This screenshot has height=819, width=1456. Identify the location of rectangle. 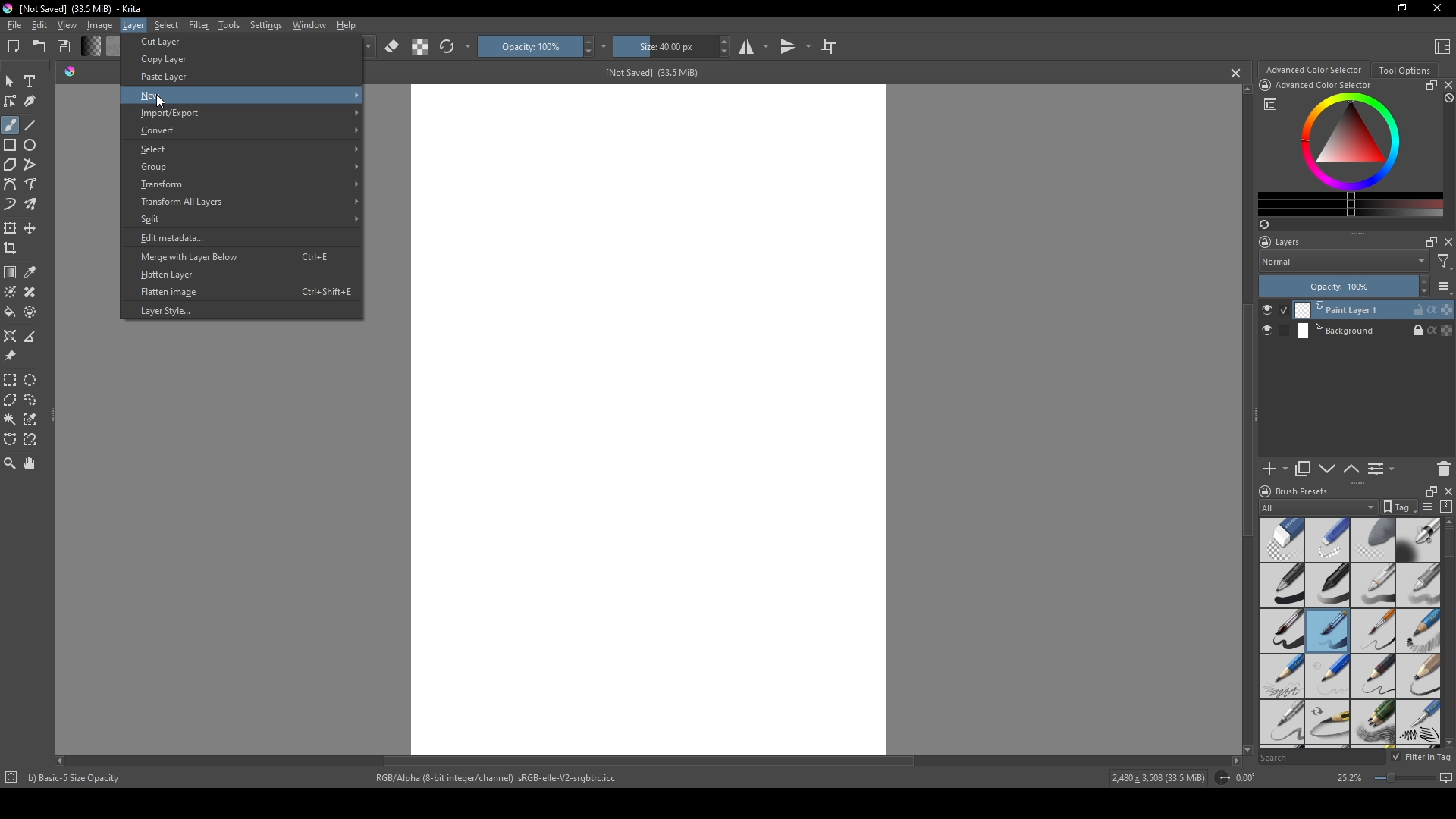
(11, 146).